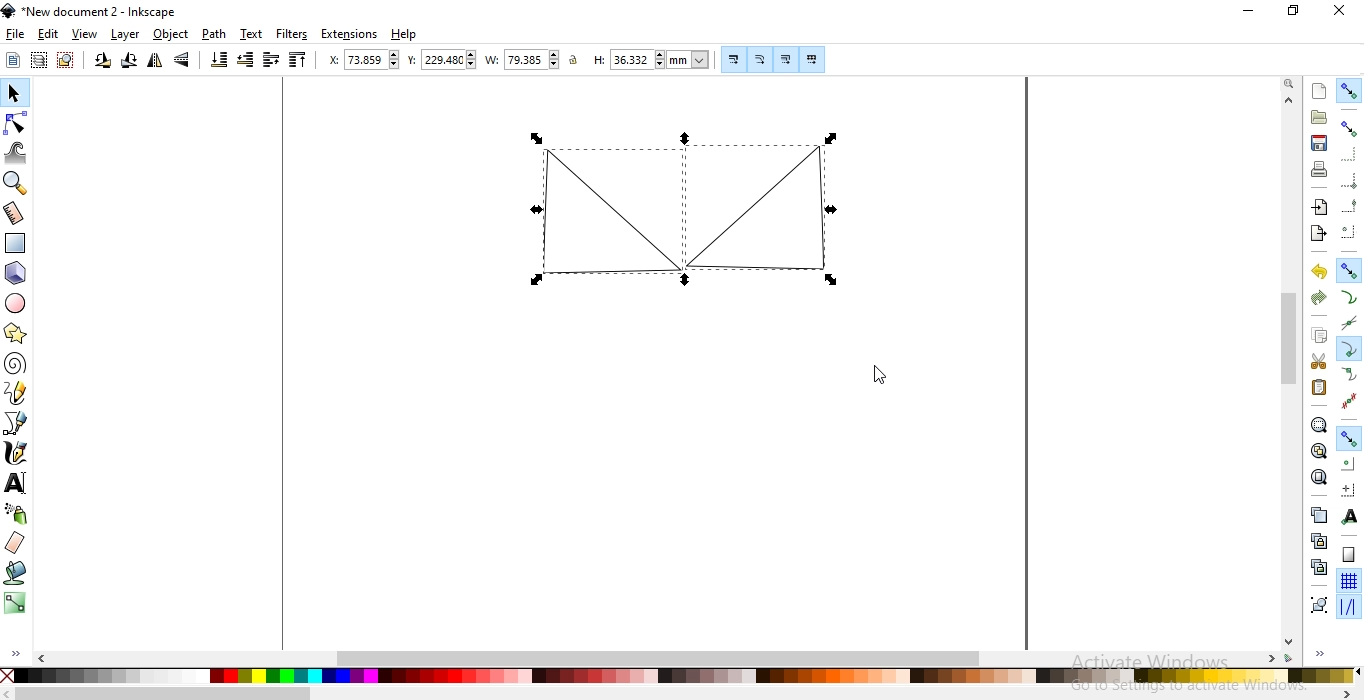 This screenshot has height=700, width=1364. I want to click on edit path by nodes, so click(15, 126).